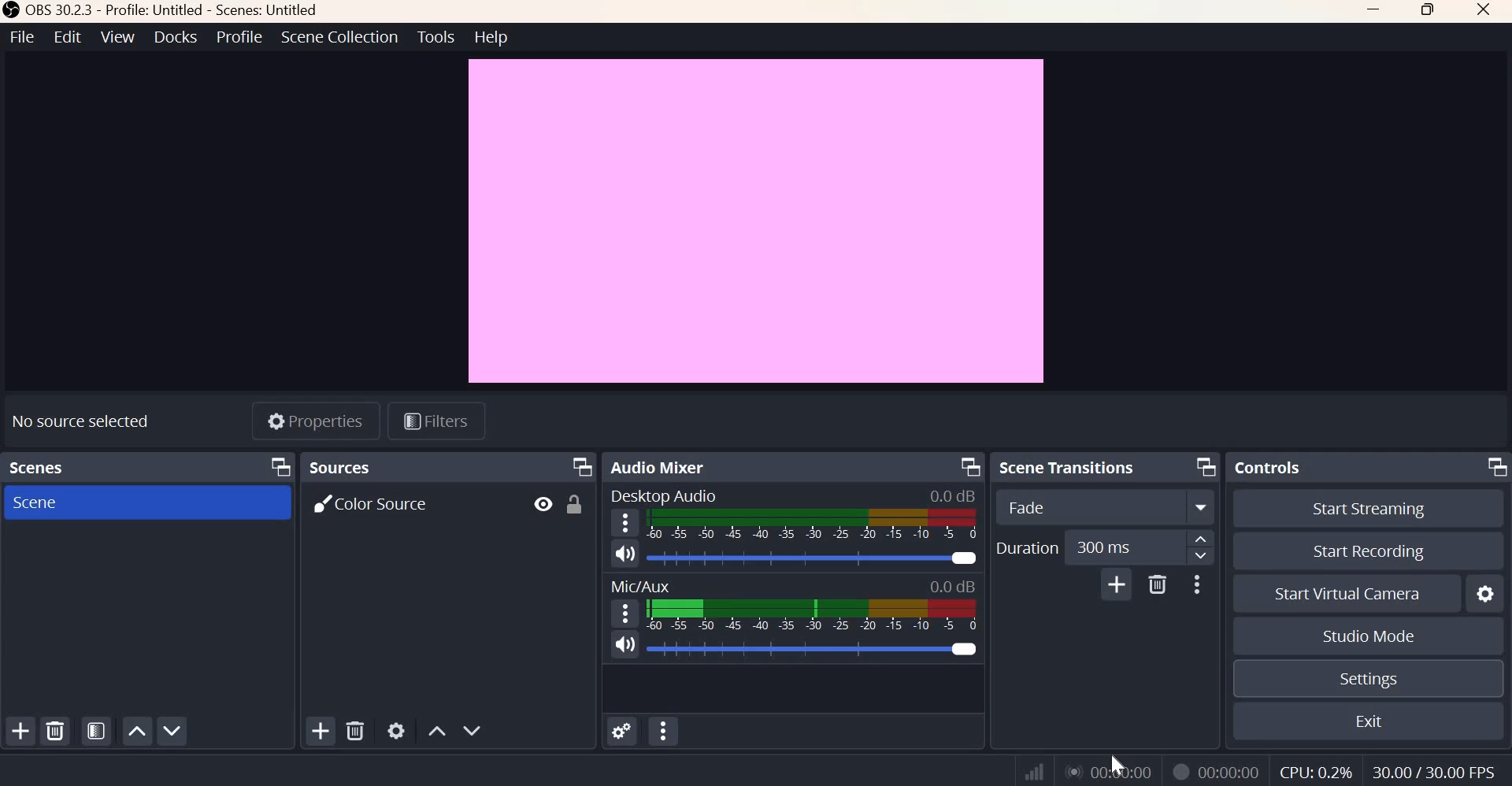 Image resolution: width=1512 pixels, height=786 pixels. Describe the element at coordinates (472, 730) in the screenshot. I see `Move source(s) down` at that location.